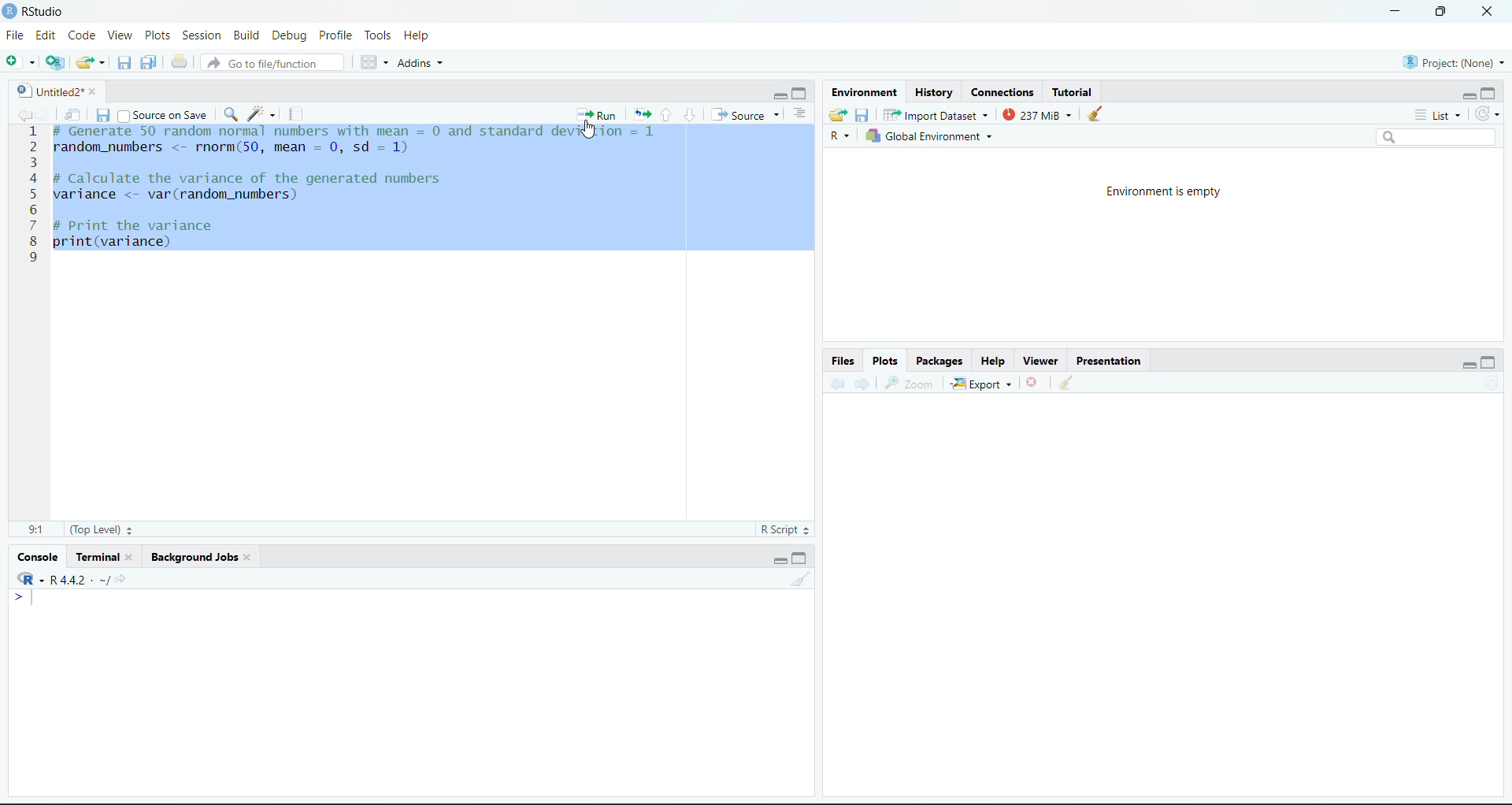 This screenshot has width=1512, height=805. I want to click on Help, so click(992, 361).